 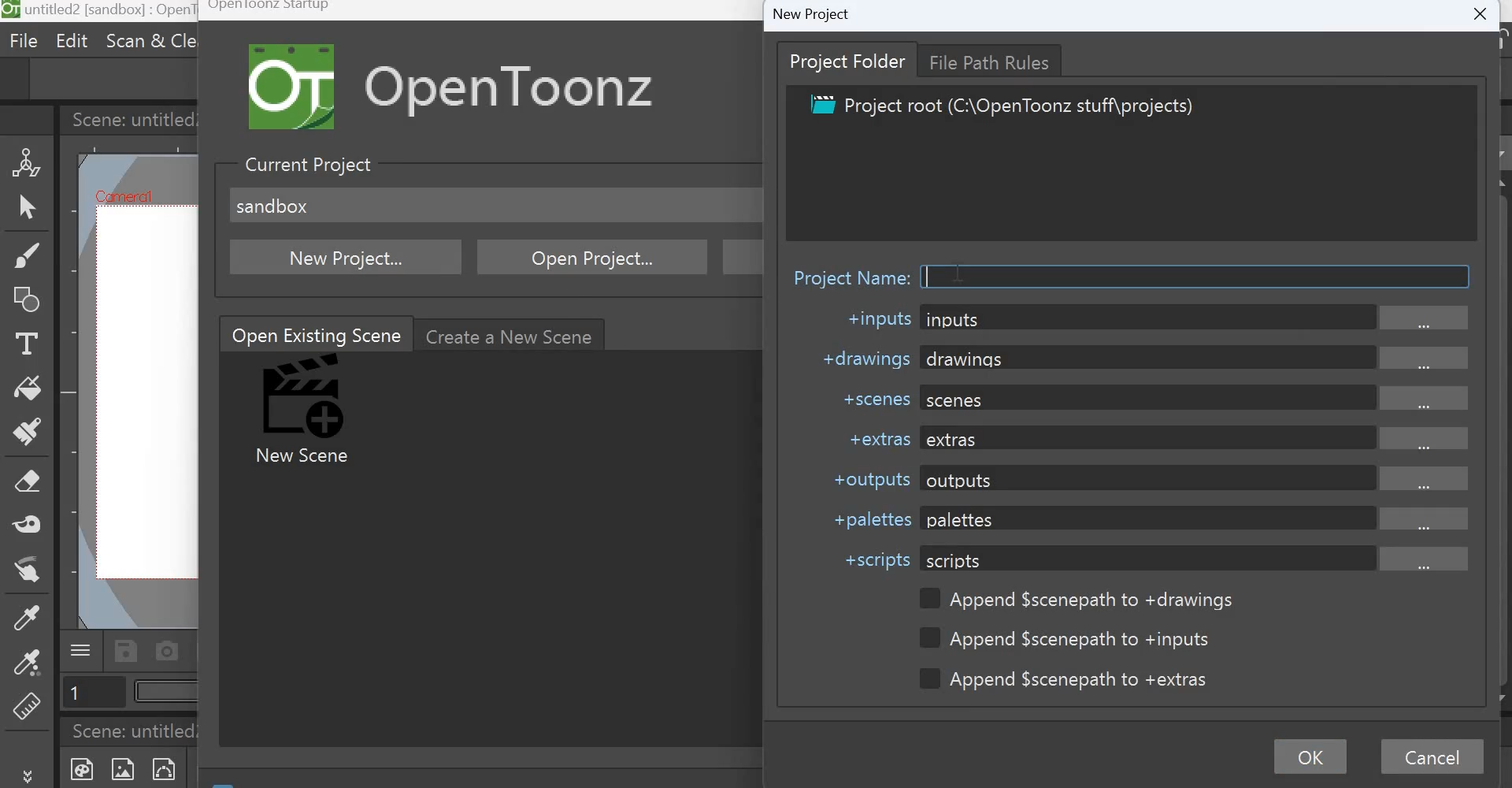 What do you see at coordinates (296, 87) in the screenshot?
I see `Logo` at bounding box center [296, 87].